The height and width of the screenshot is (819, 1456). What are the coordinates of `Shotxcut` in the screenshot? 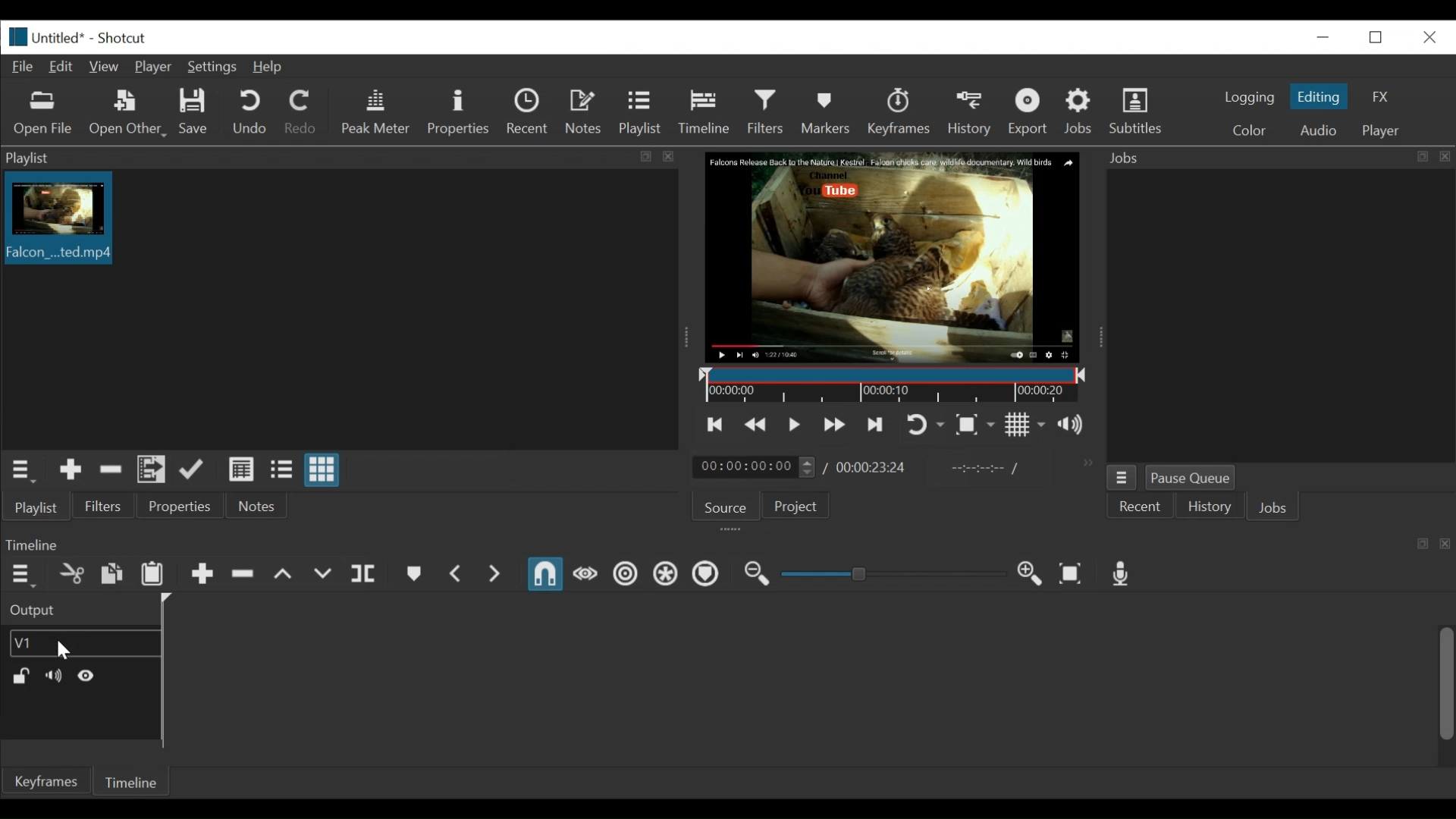 It's located at (125, 38).